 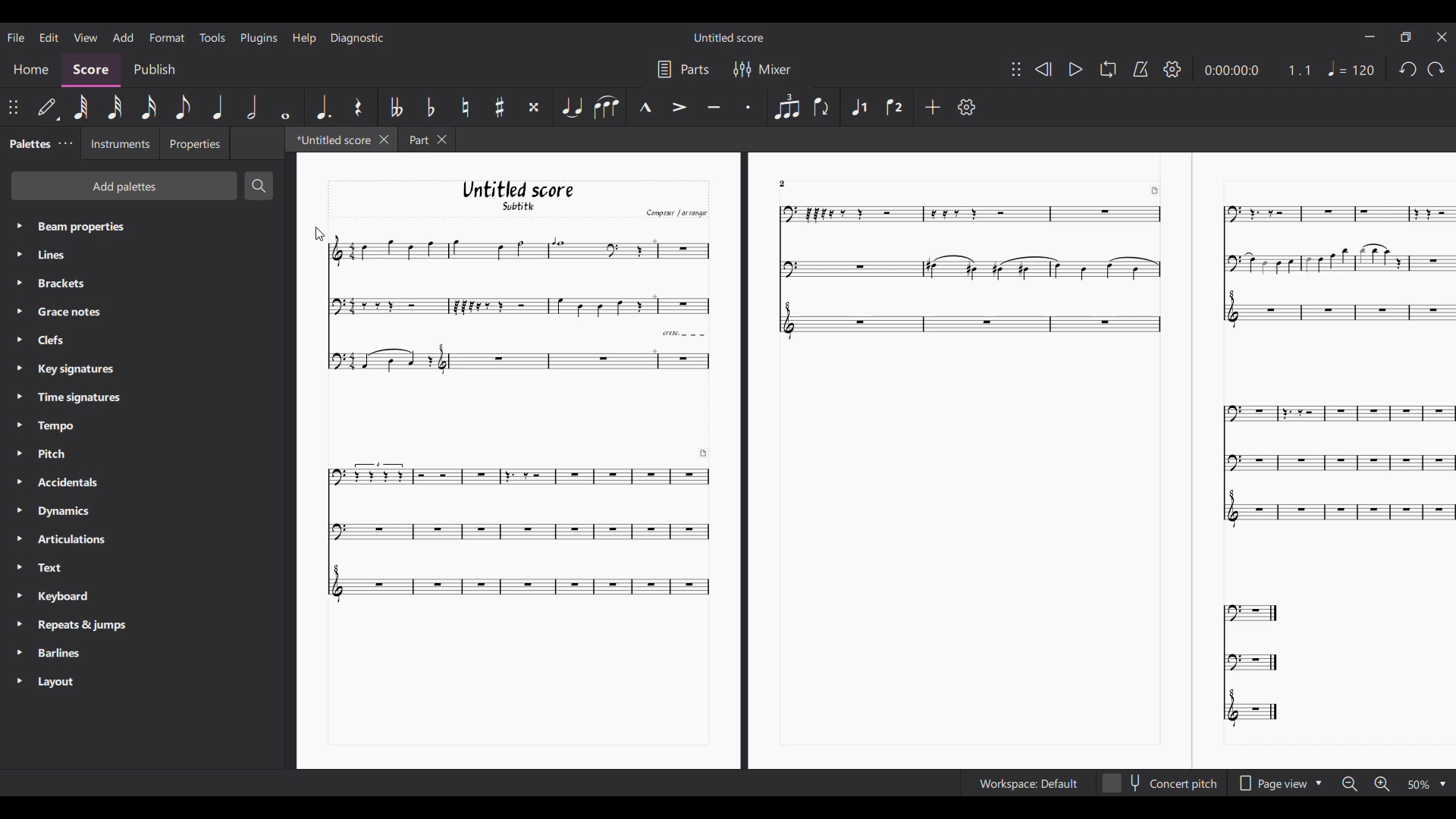 I want to click on Tenuto, so click(x=713, y=105).